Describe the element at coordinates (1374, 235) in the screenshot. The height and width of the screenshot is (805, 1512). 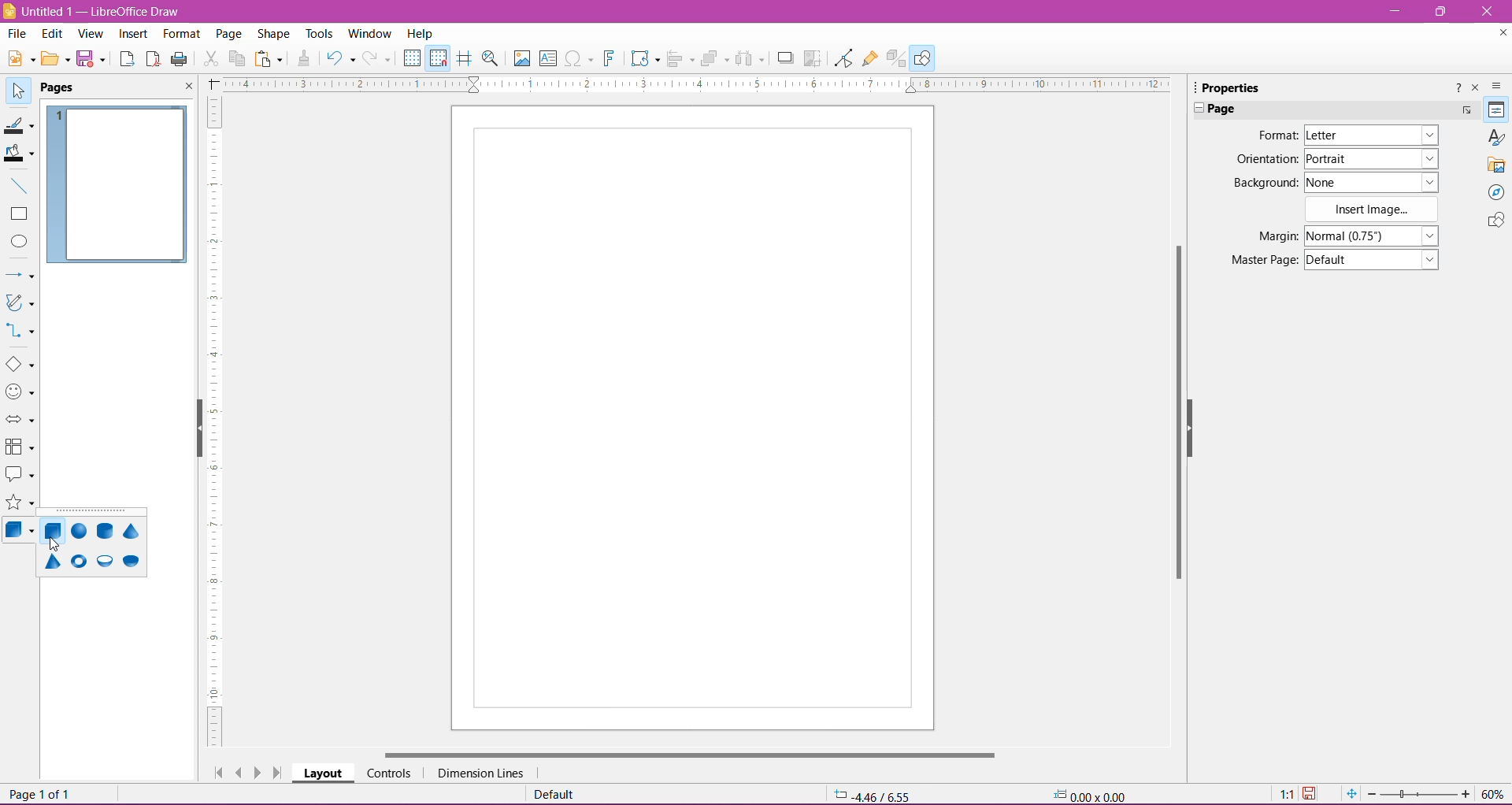
I see `Set page margin dimensions` at that location.